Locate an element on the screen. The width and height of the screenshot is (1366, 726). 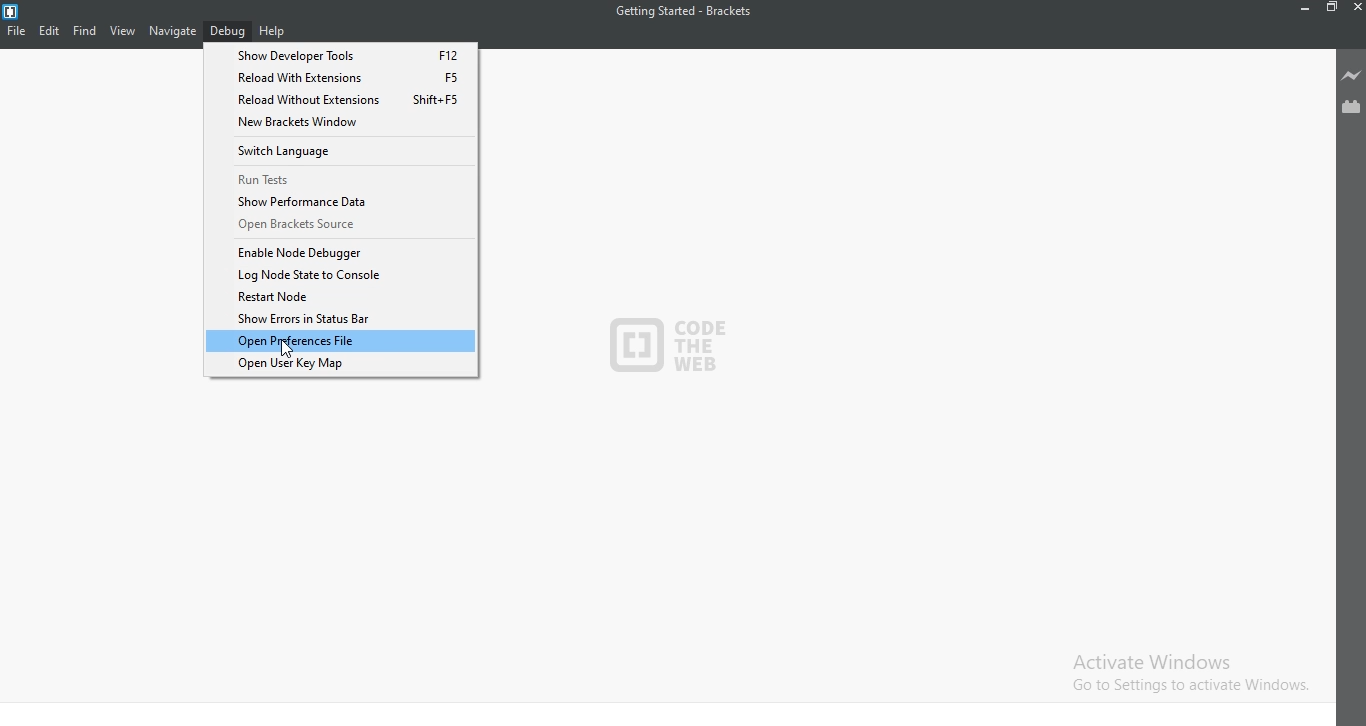
restore is located at coordinates (1330, 11).